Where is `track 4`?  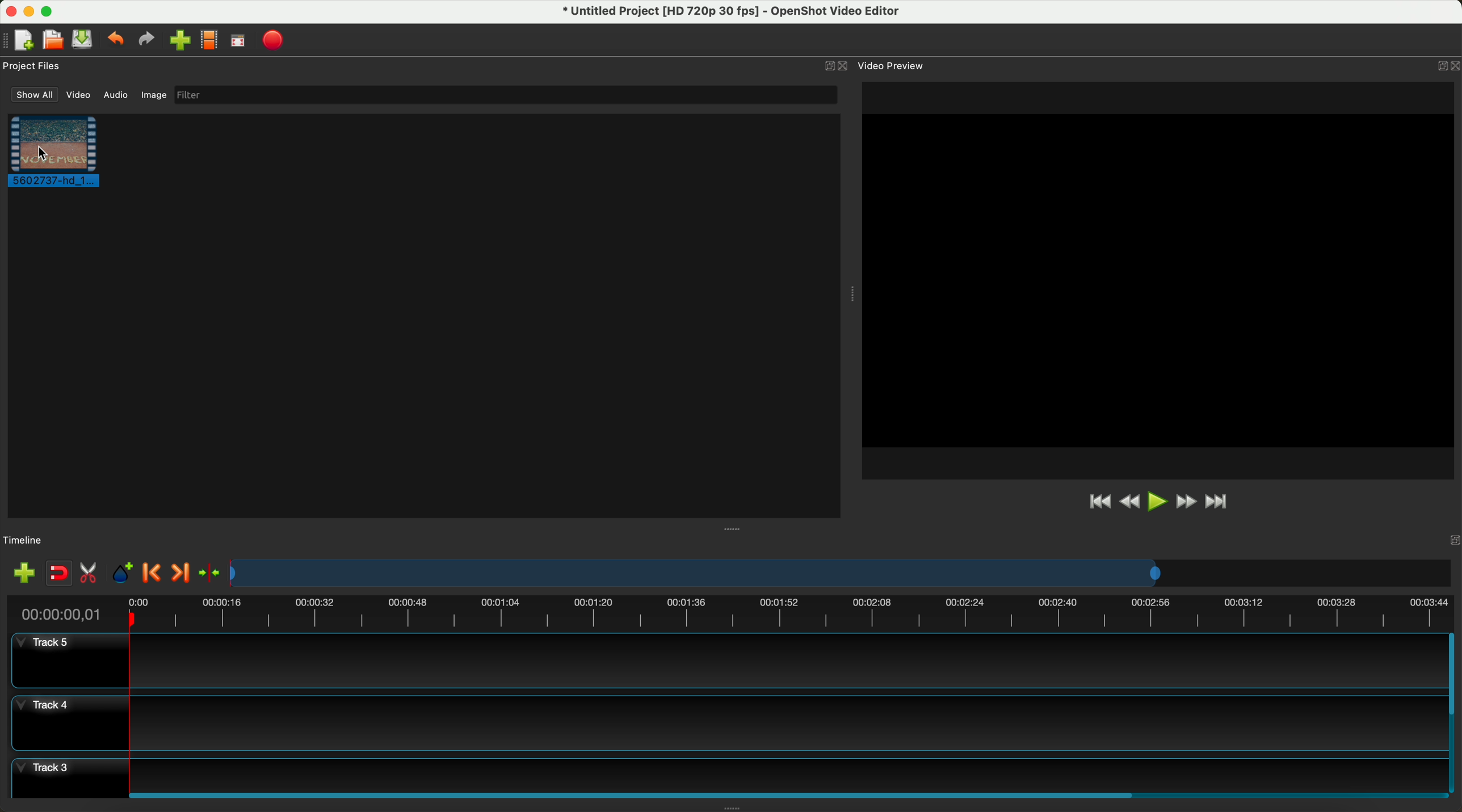 track 4 is located at coordinates (725, 725).